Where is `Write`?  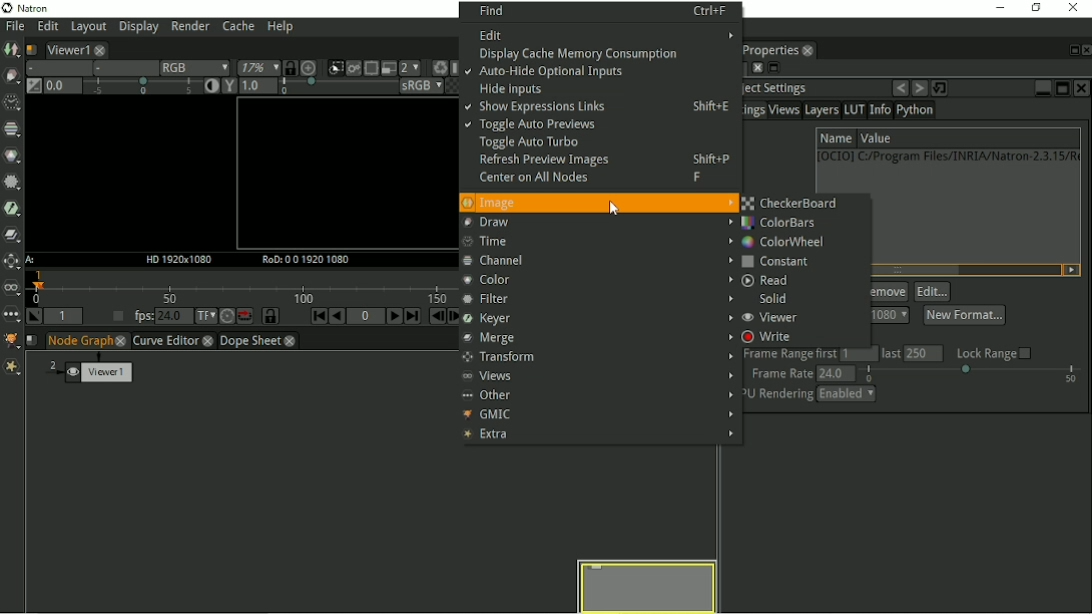 Write is located at coordinates (772, 337).